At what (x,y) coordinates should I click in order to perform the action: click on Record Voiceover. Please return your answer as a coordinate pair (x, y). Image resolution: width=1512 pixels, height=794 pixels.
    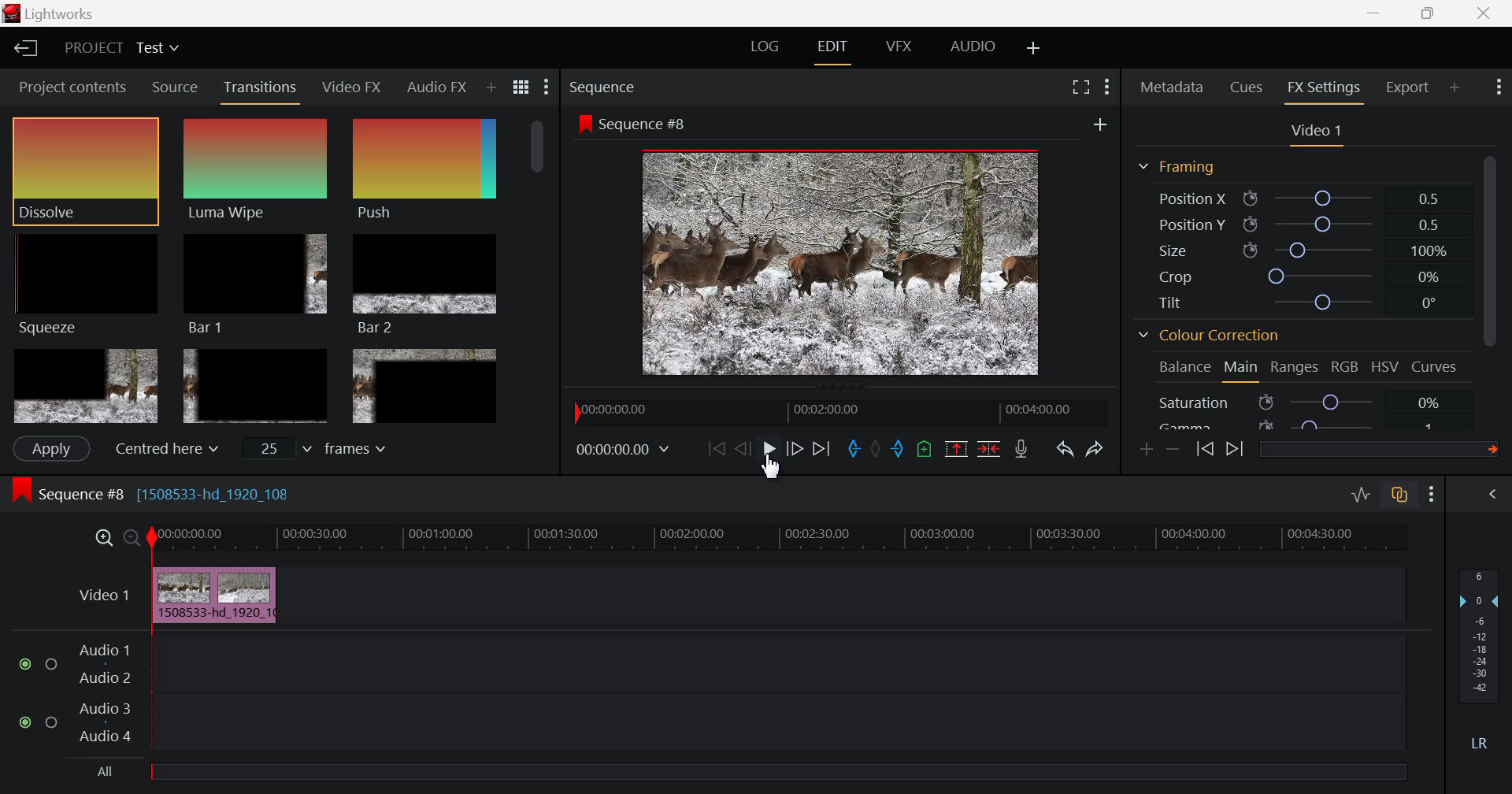
    Looking at the image, I should click on (1021, 449).